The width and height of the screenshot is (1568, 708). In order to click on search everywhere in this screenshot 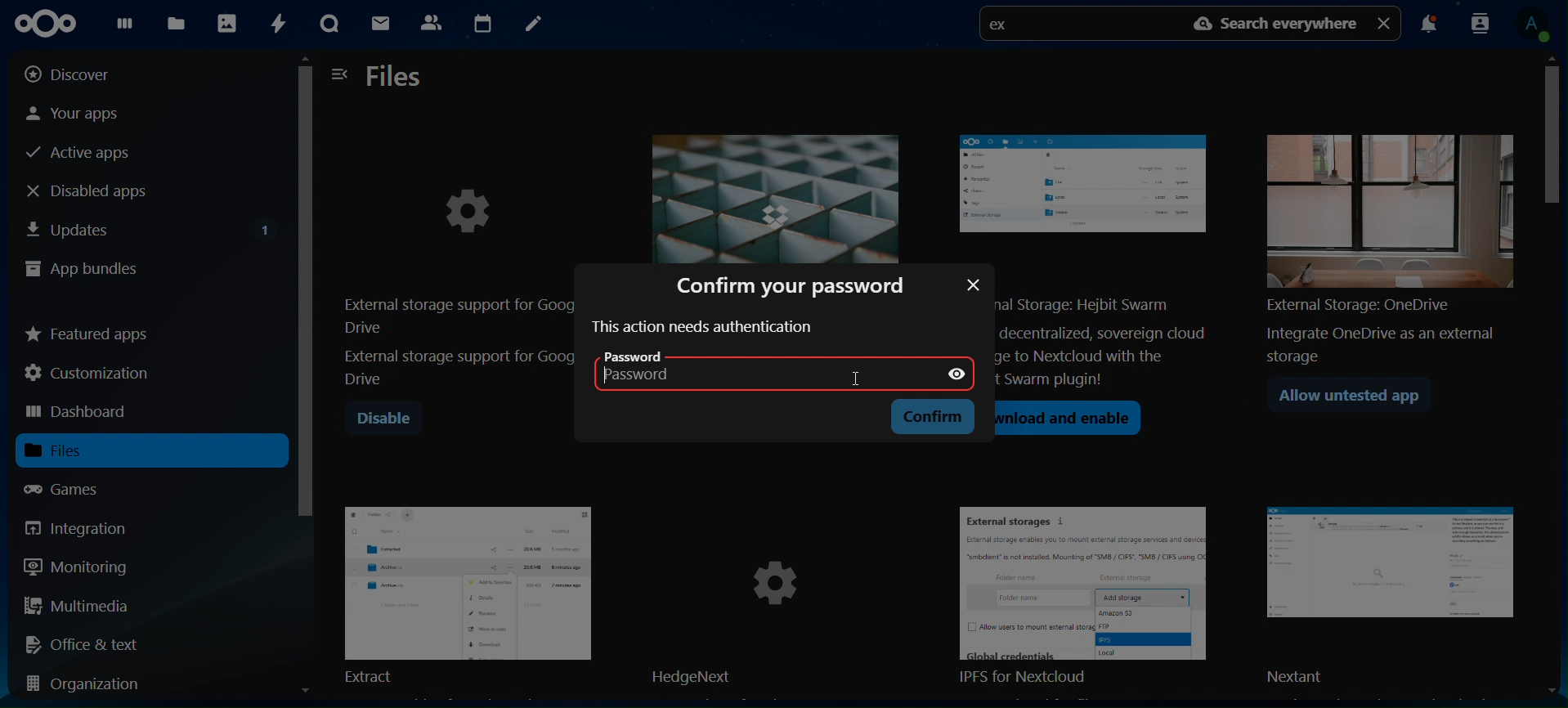, I will do `click(1278, 24)`.